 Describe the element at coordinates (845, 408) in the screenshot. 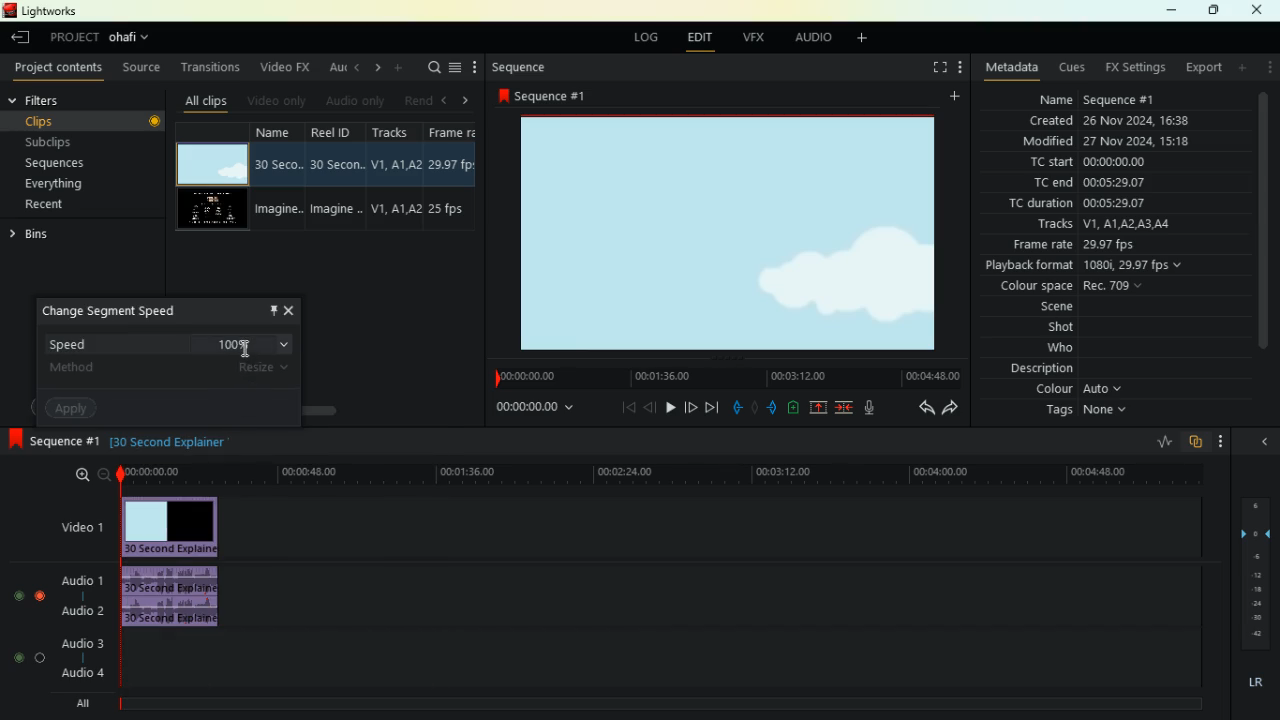

I see `merge` at that location.